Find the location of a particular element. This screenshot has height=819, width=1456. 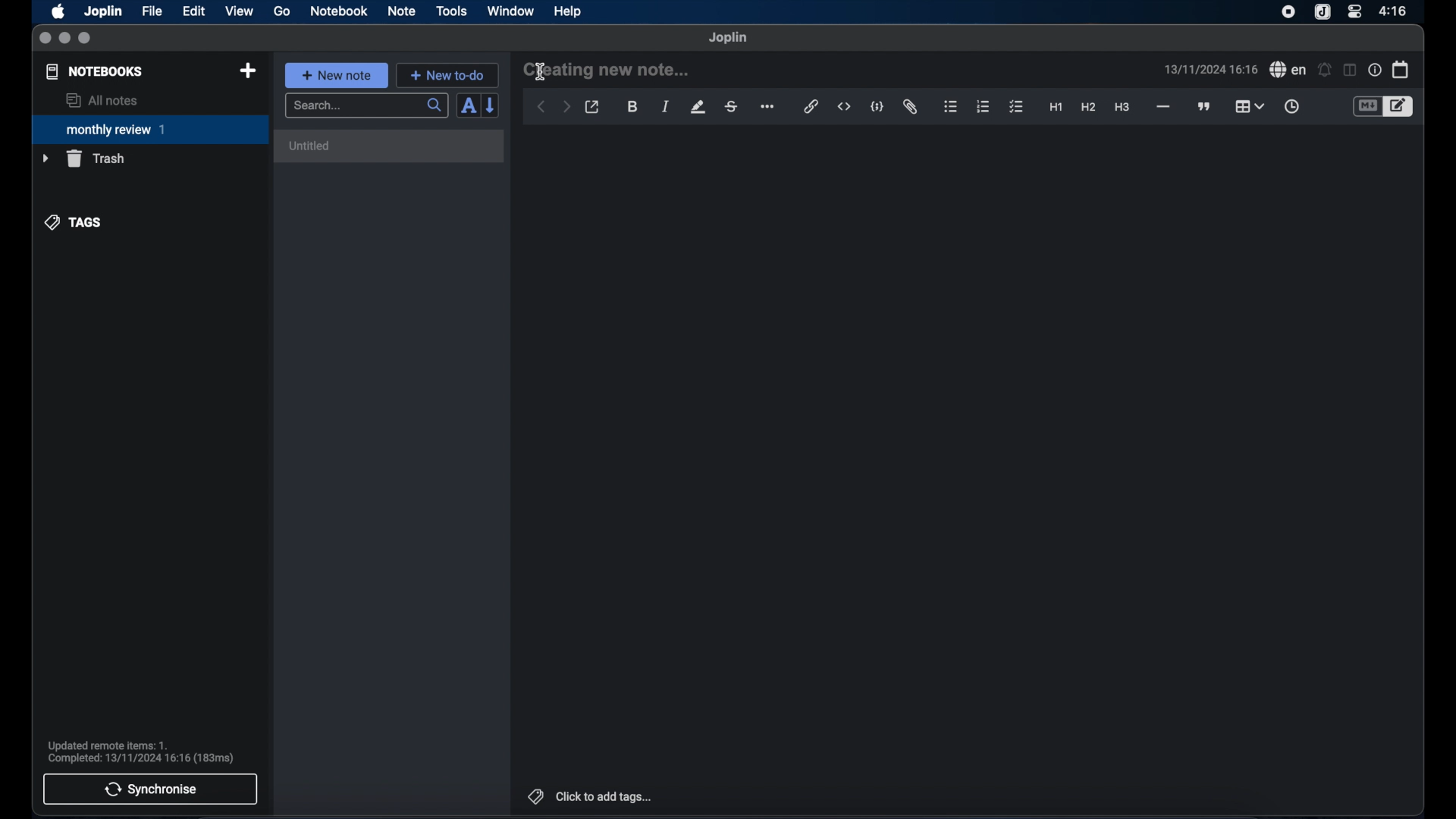

no notes in here. create one by clicking on "new note". is located at coordinates (384, 153).